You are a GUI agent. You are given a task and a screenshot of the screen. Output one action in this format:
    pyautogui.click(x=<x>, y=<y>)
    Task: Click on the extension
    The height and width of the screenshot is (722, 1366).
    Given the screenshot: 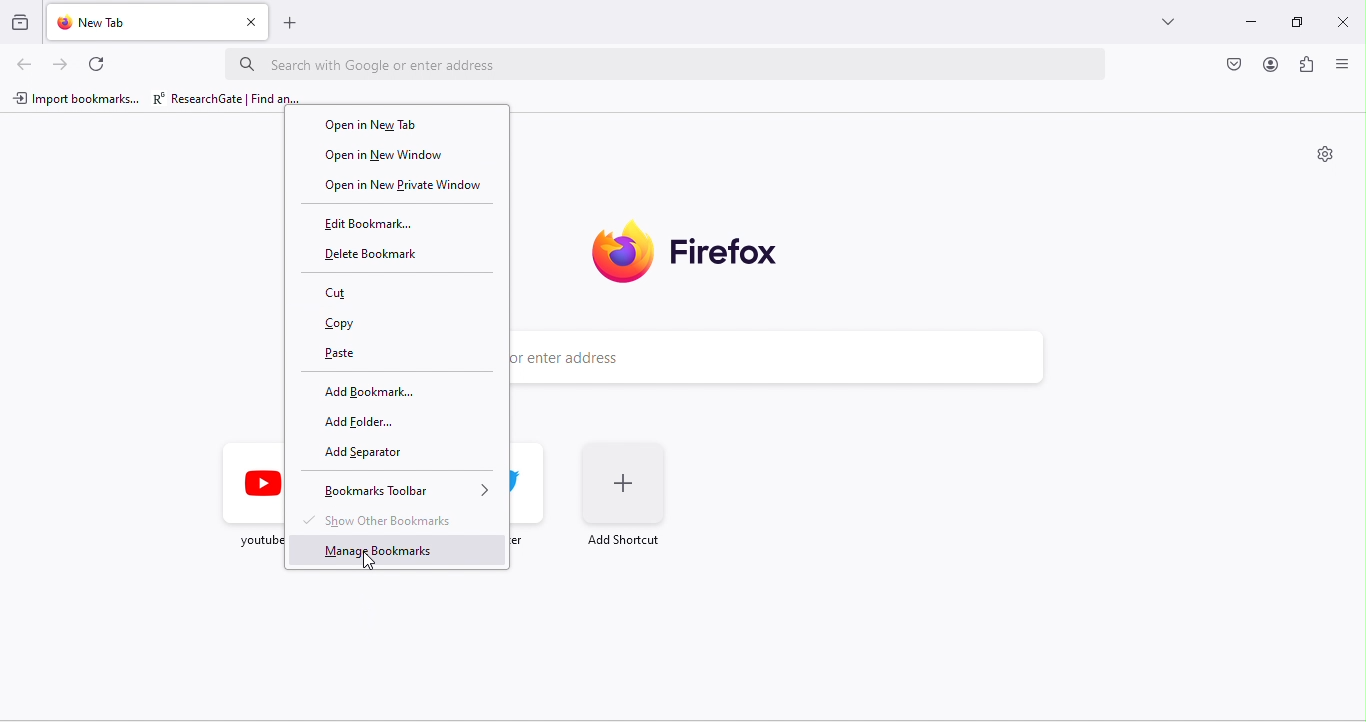 What is the action you would take?
    pyautogui.click(x=1309, y=67)
    